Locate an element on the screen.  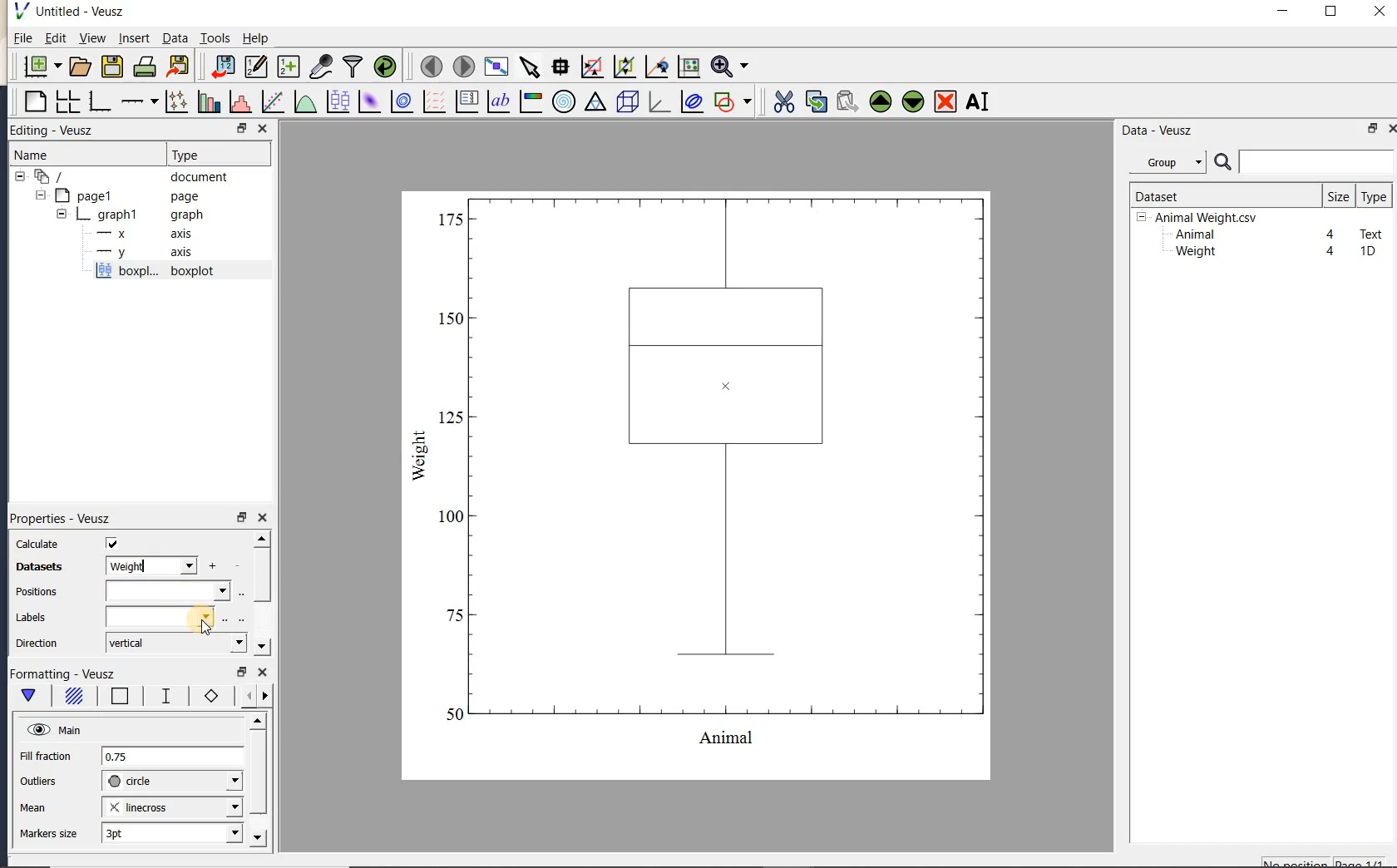
Data-Veusz is located at coordinates (1158, 131).